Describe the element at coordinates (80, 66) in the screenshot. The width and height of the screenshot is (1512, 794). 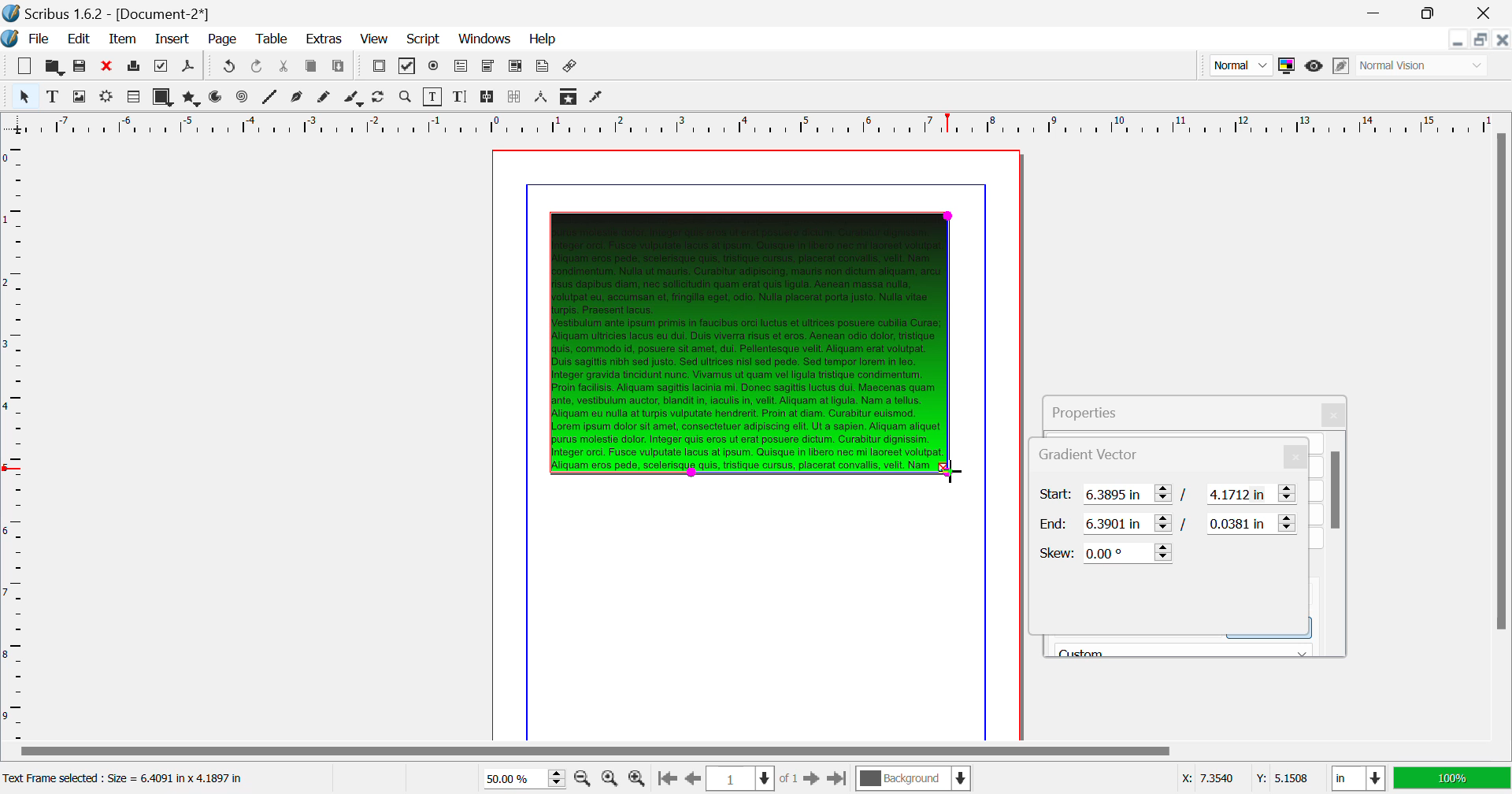
I see `Save` at that location.